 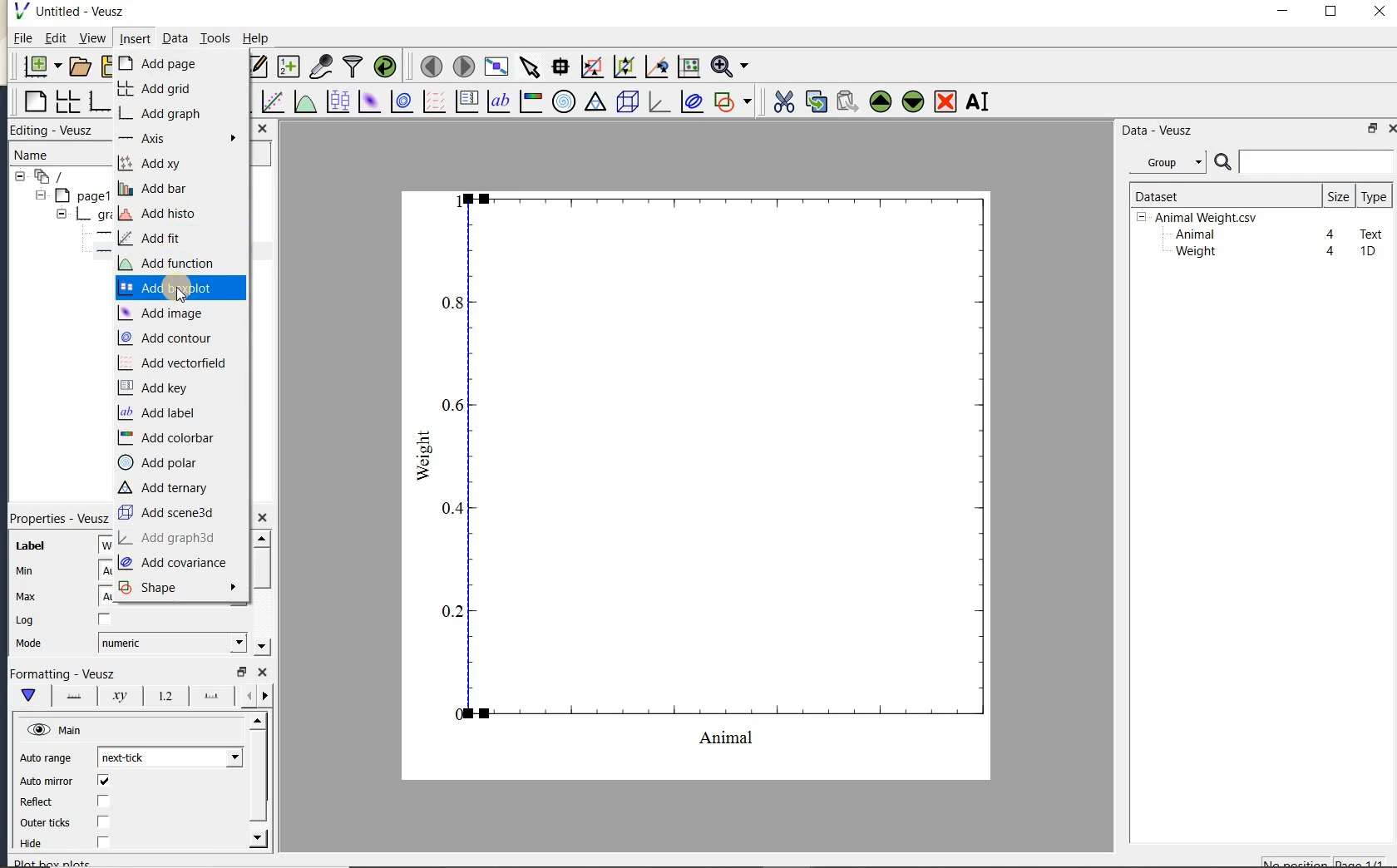 I want to click on plot a 2d dataset as contours, so click(x=400, y=101).